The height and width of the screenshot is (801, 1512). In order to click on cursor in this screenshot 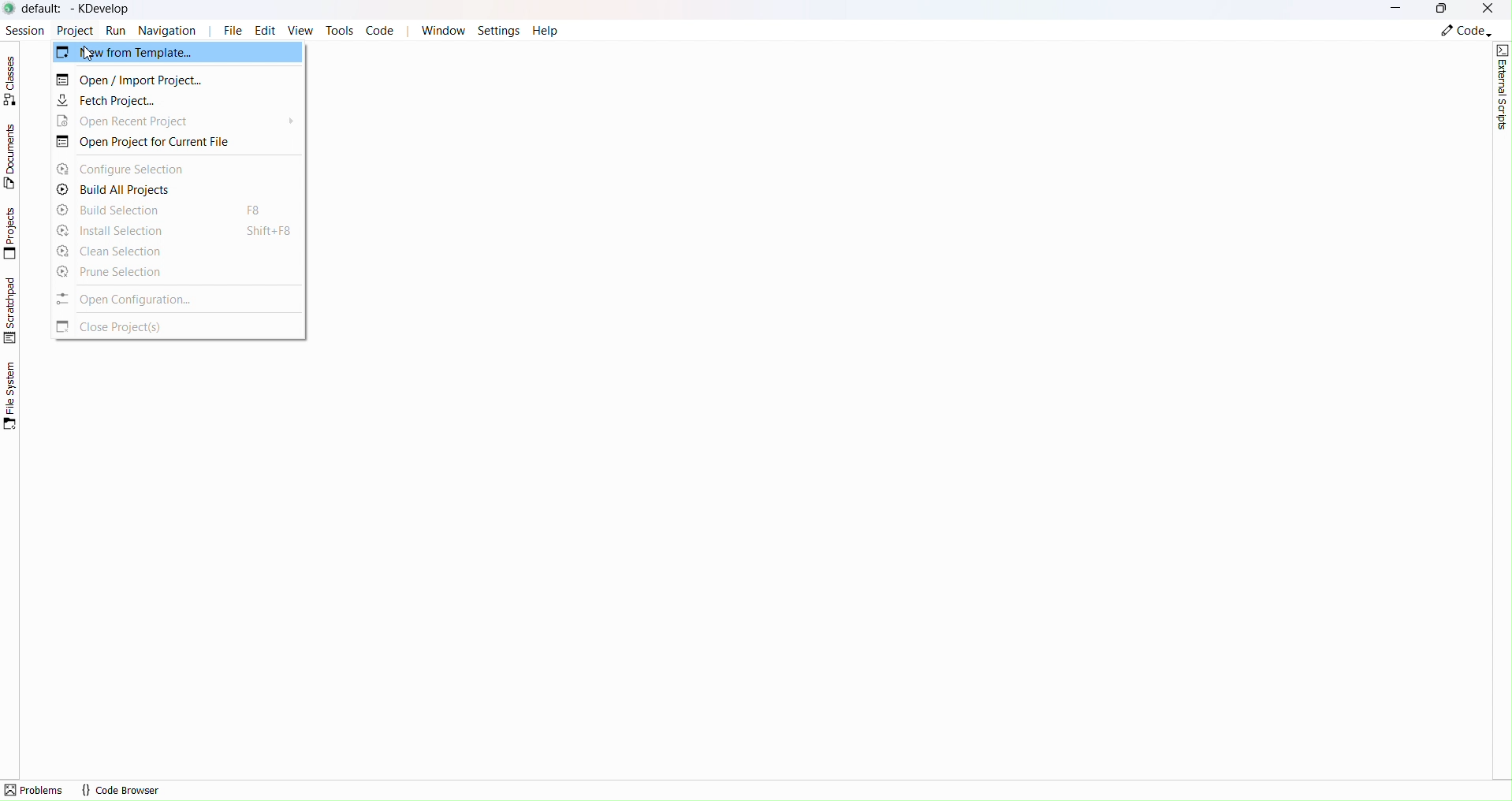, I will do `click(89, 54)`.